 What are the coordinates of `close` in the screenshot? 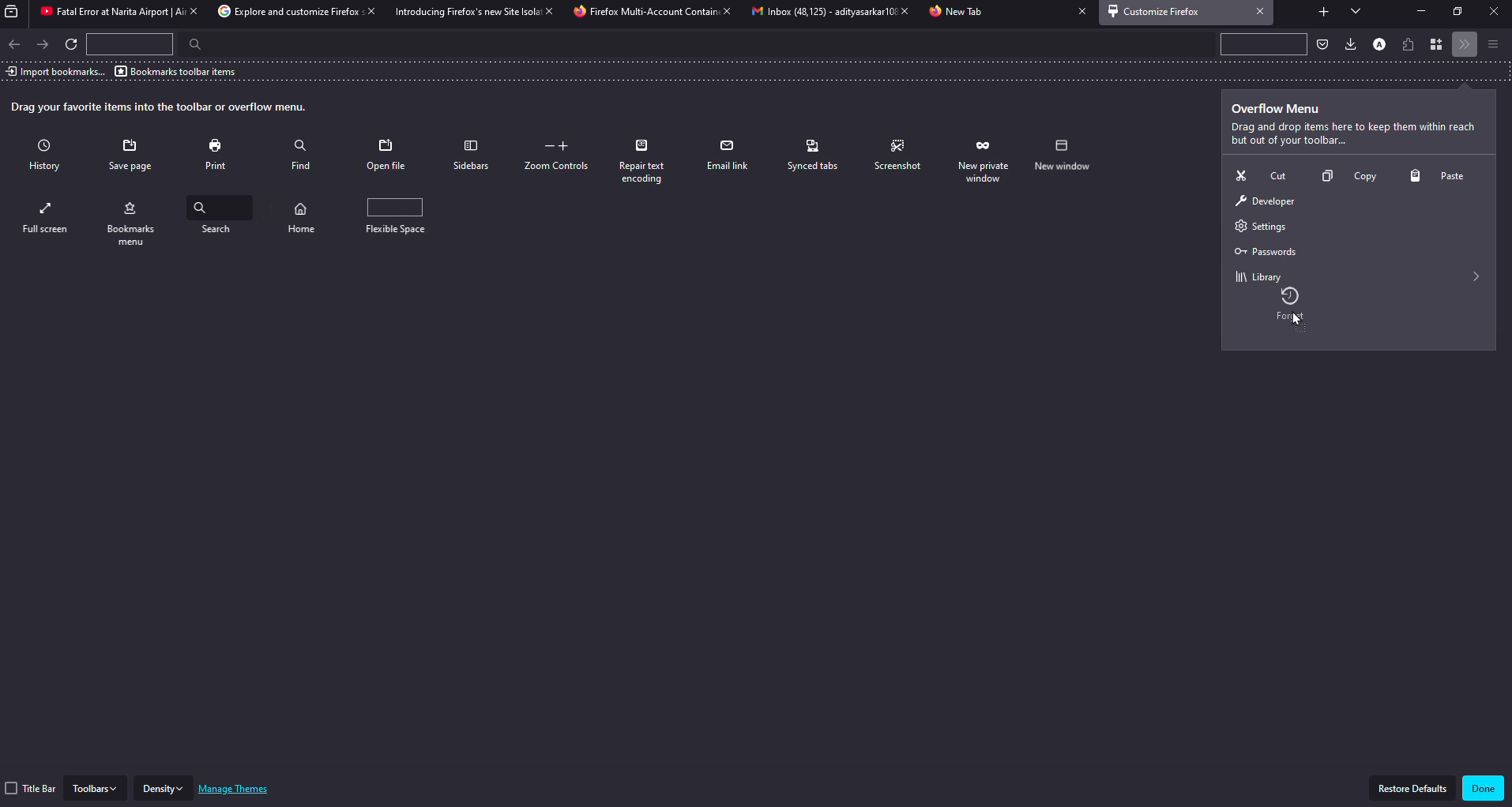 It's located at (546, 10).